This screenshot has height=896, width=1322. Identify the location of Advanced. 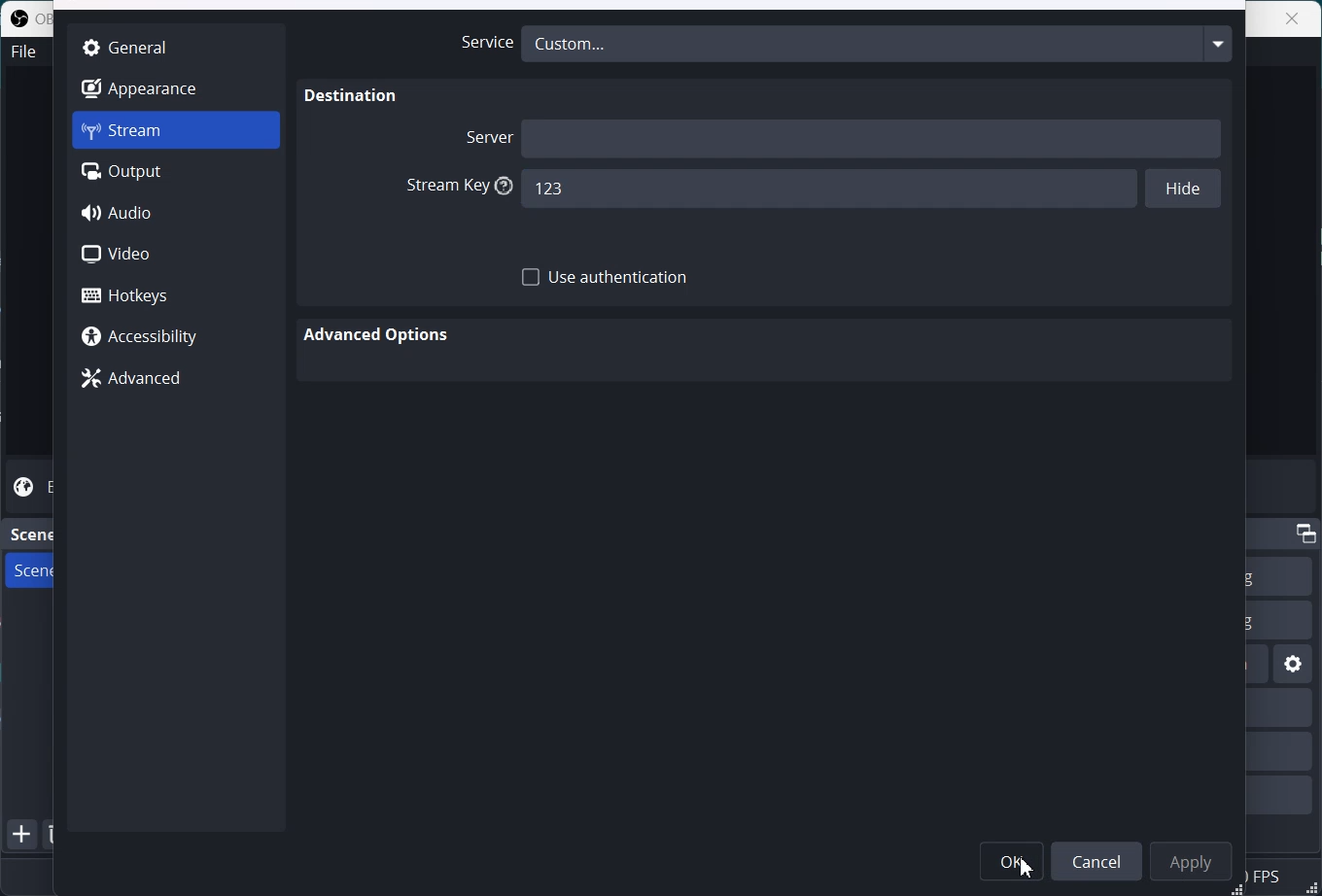
(175, 379).